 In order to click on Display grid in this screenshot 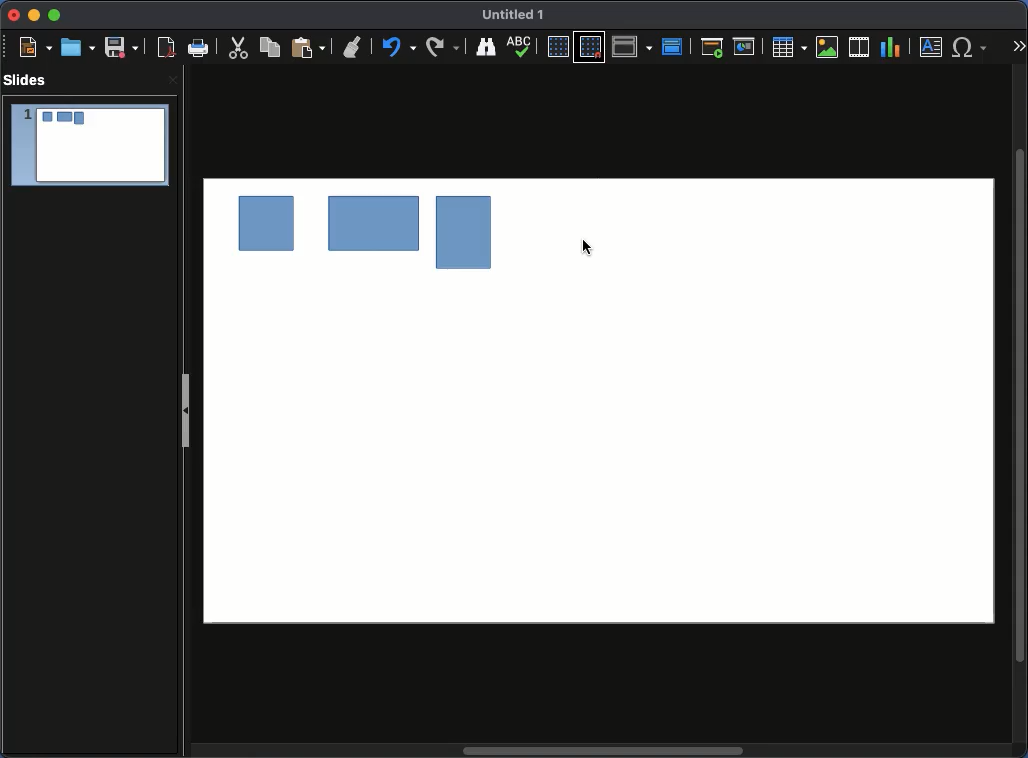, I will do `click(557, 47)`.